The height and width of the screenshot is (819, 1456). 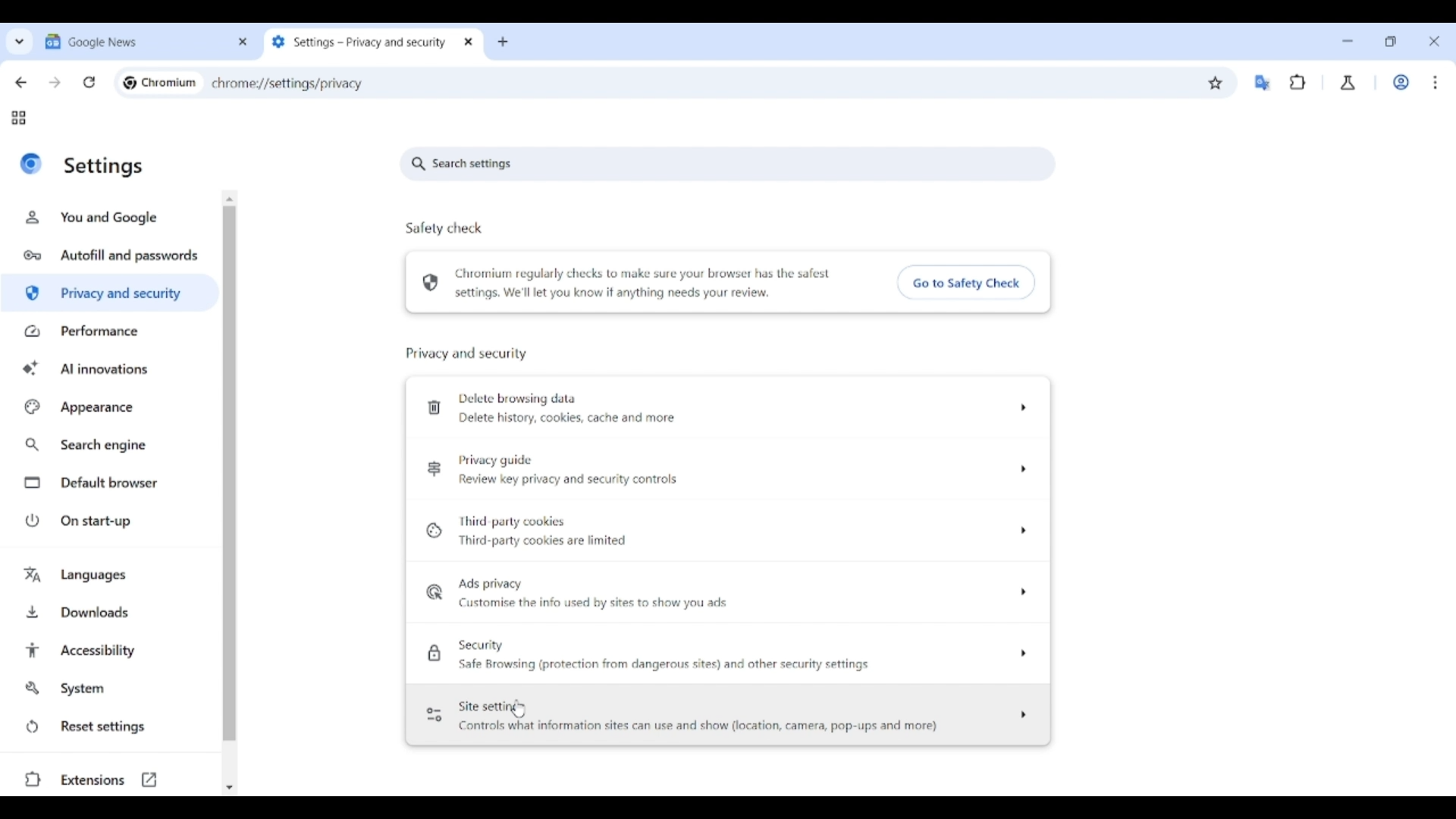 I want to click on You and Google, so click(x=107, y=218).